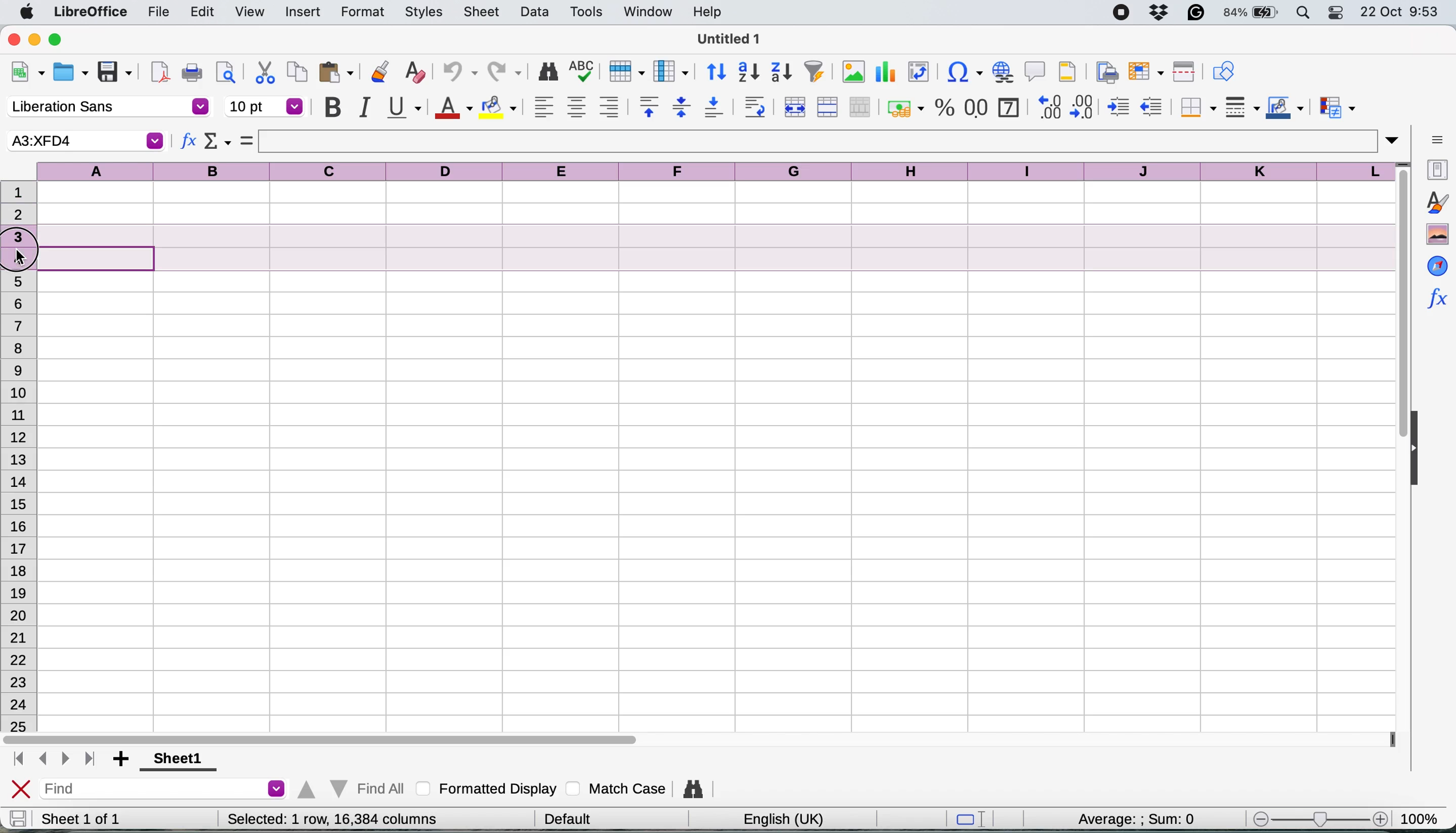  Describe the element at coordinates (1437, 235) in the screenshot. I see `gallery` at that location.